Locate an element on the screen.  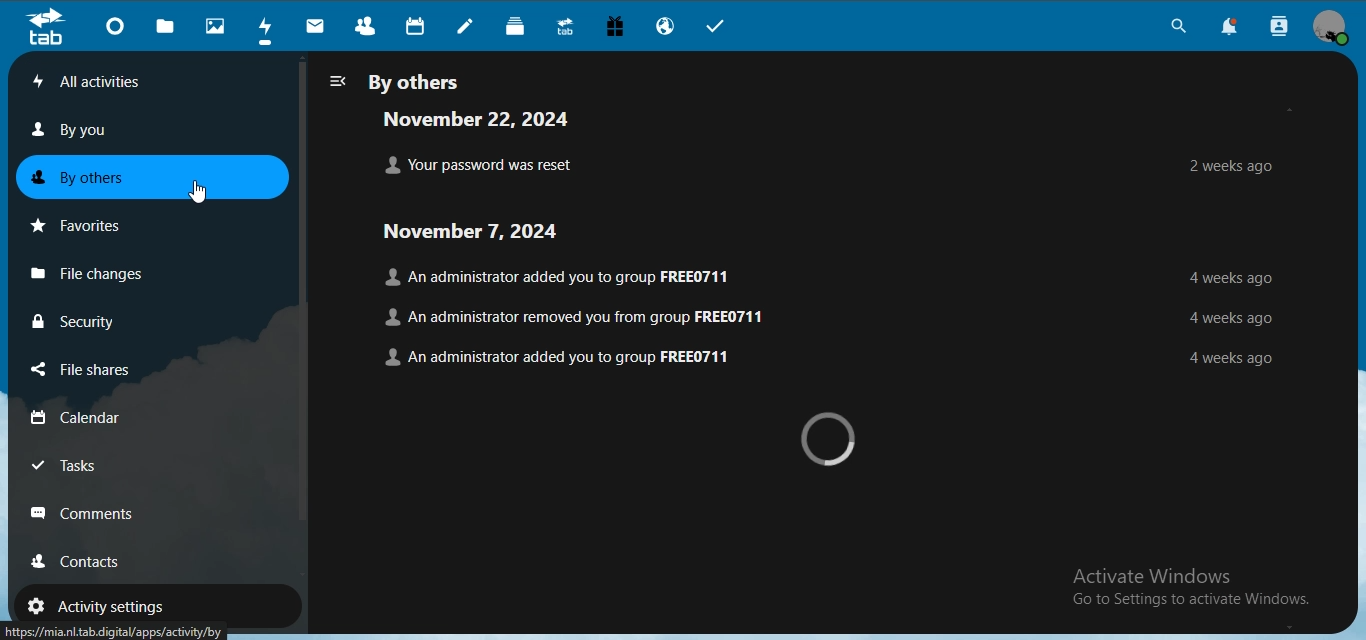
comments is located at coordinates (90, 512).